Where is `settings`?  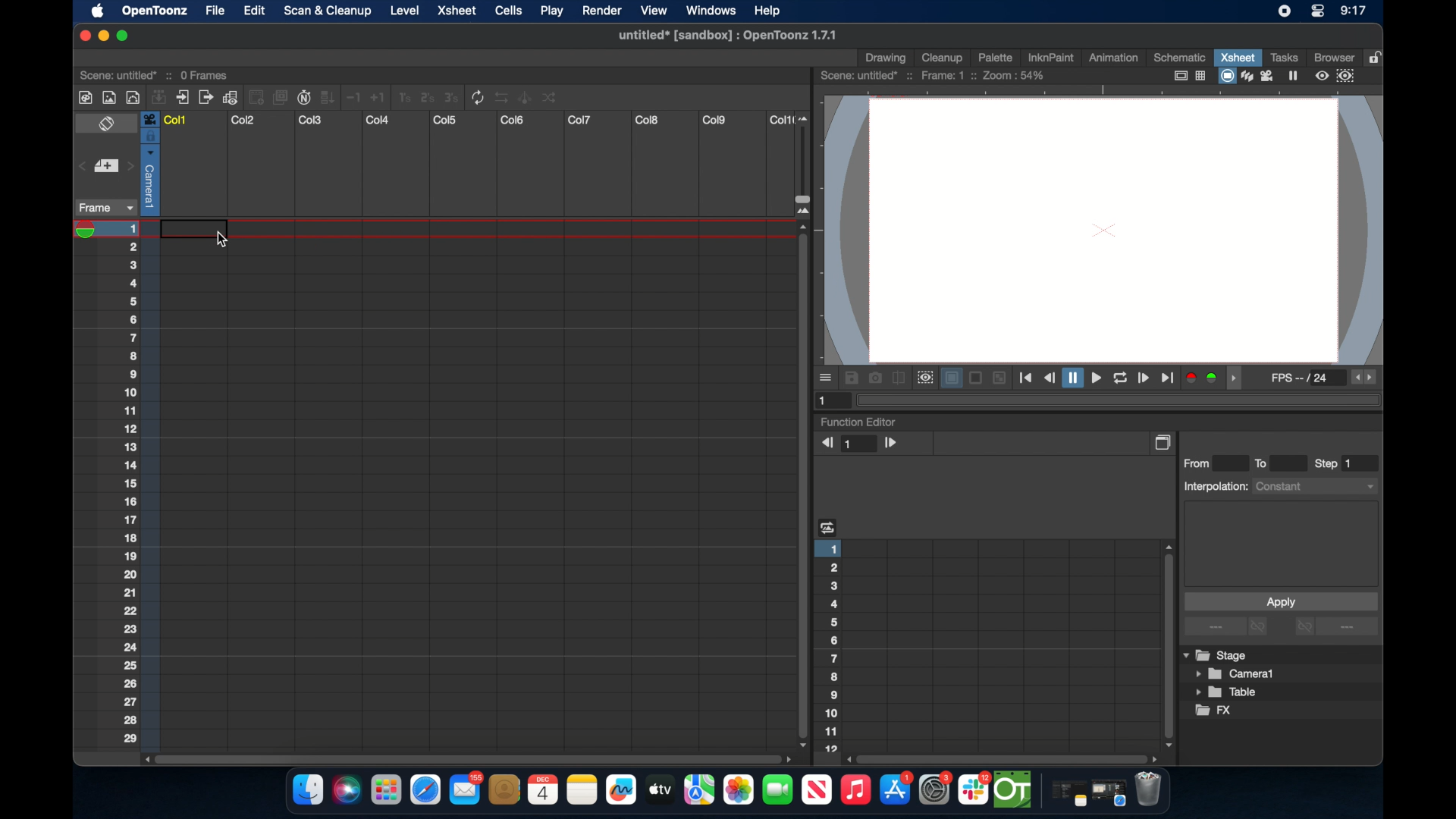 settings is located at coordinates (937, 789).